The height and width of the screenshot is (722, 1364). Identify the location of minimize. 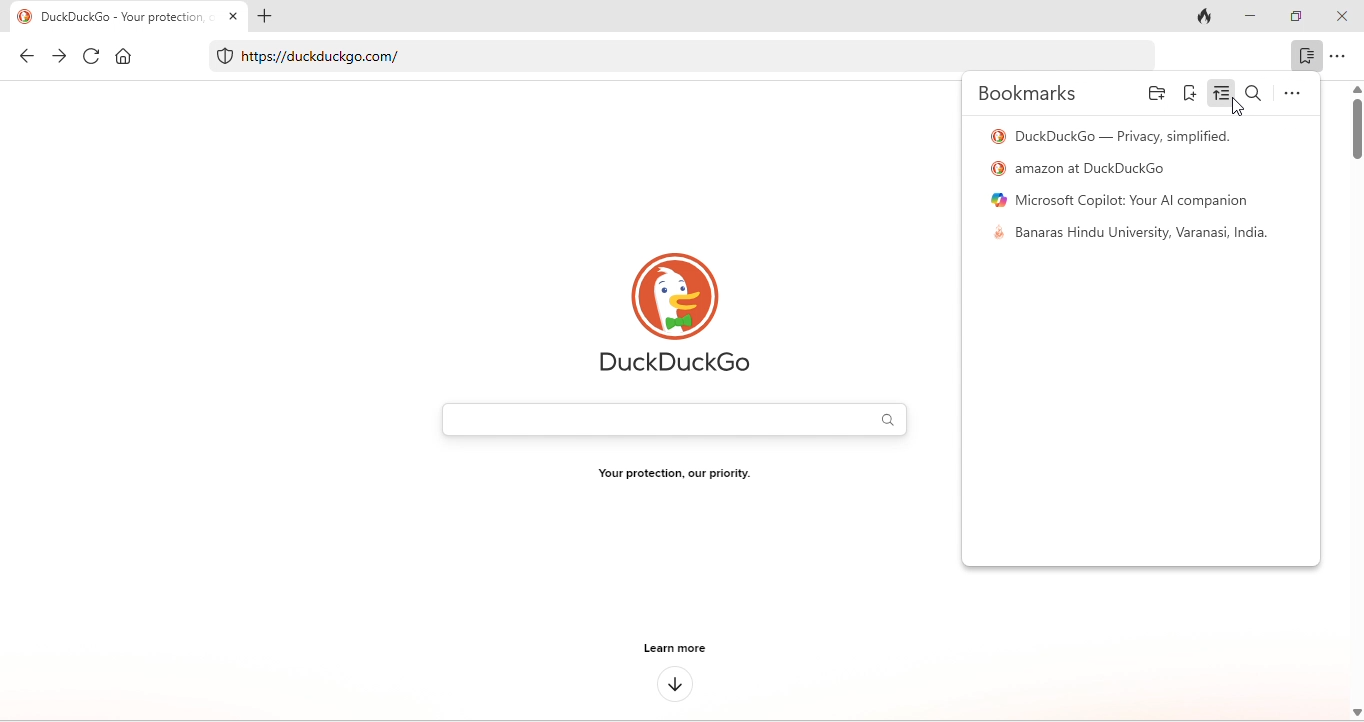
(1249, 17).